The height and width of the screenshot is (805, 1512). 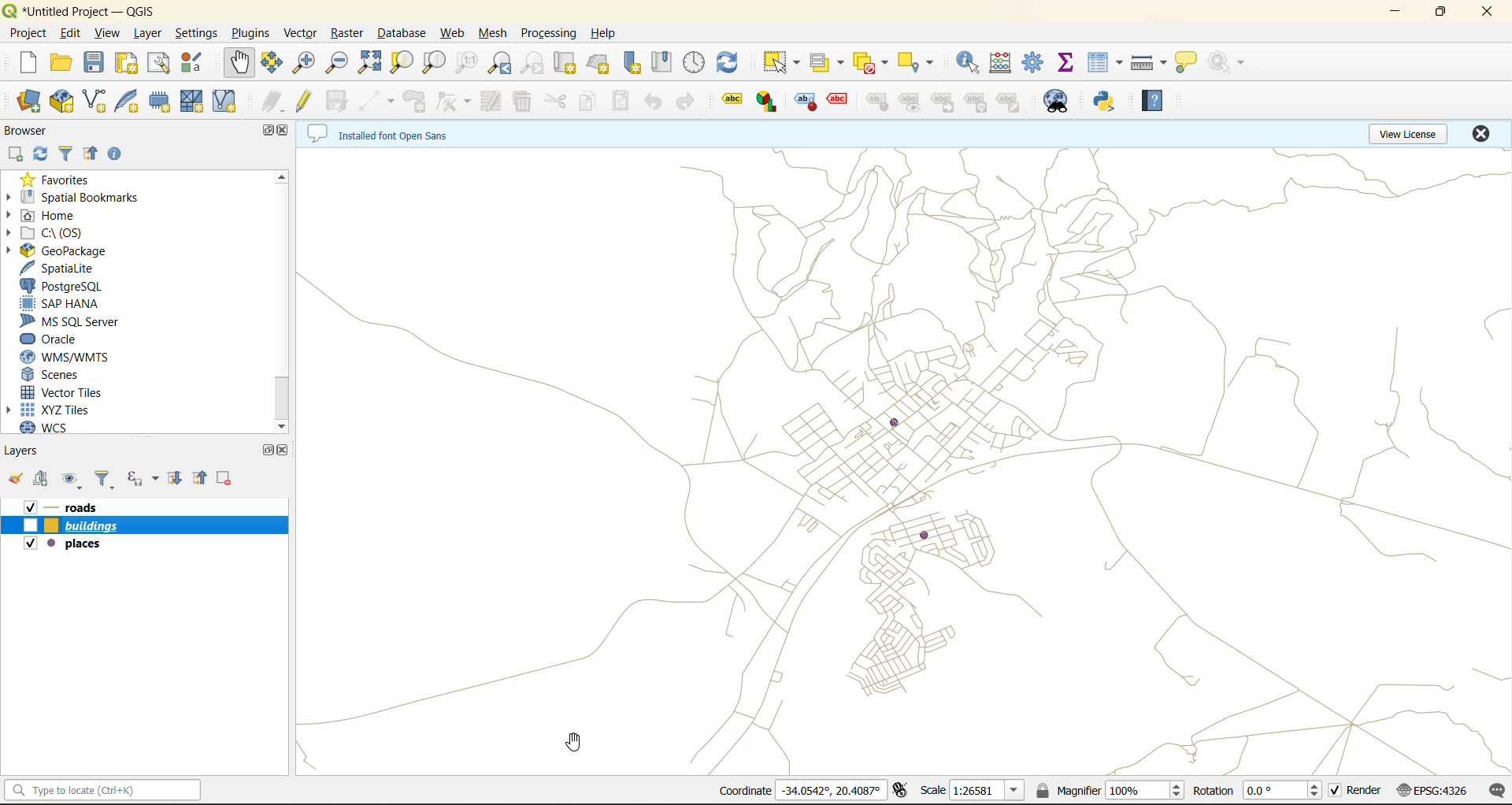 I want to click on wns, so click(x=65, y=354).